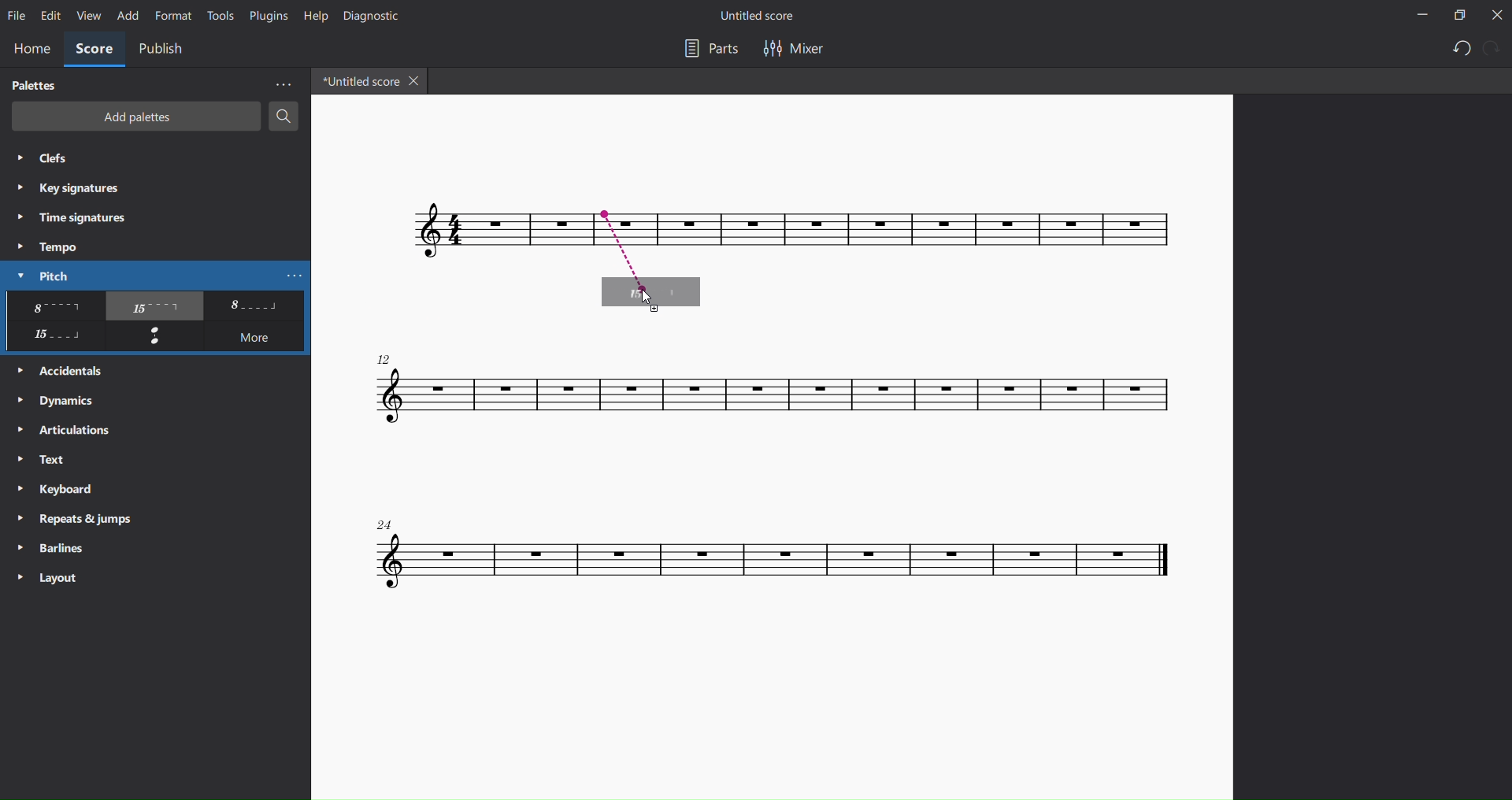  What do you see at coordinates (87, 16) in the screenshot?
I see `view` at bounding box center [87, 16].